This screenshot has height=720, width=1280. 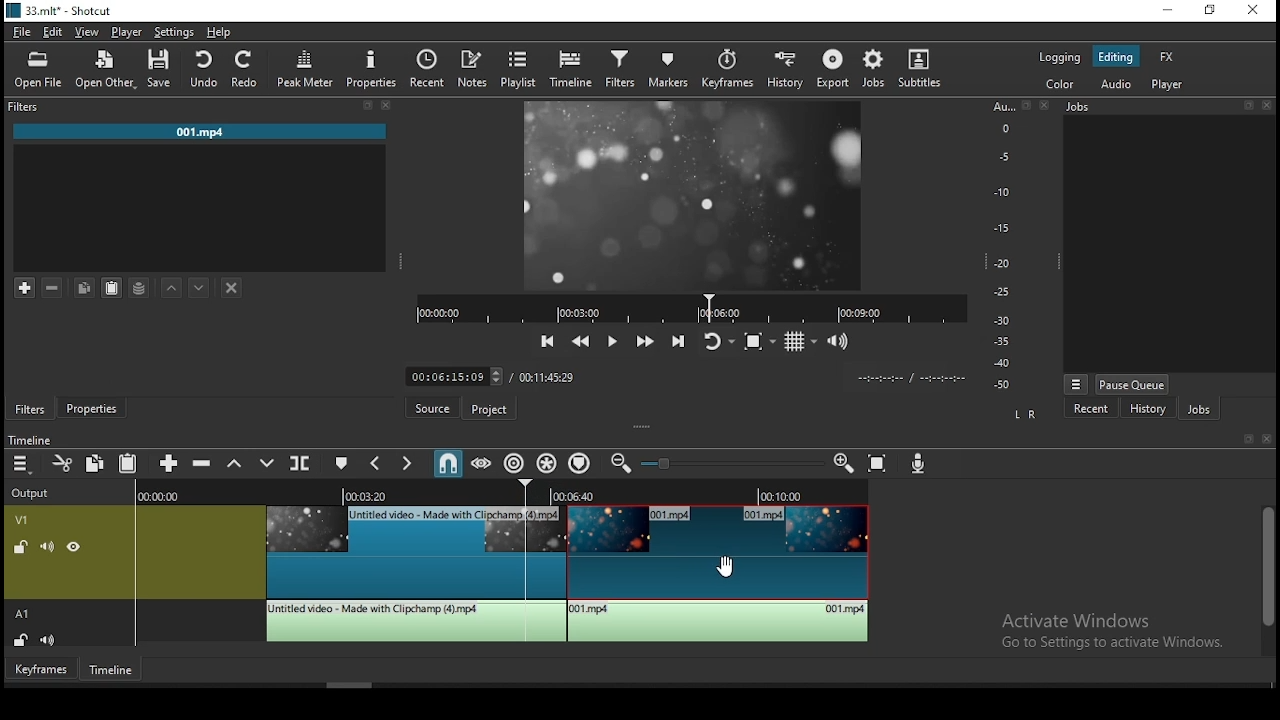 What do you see at coordinates (235, 464) in the screenshot?
I see `lift` at bounding box center [235, 464].